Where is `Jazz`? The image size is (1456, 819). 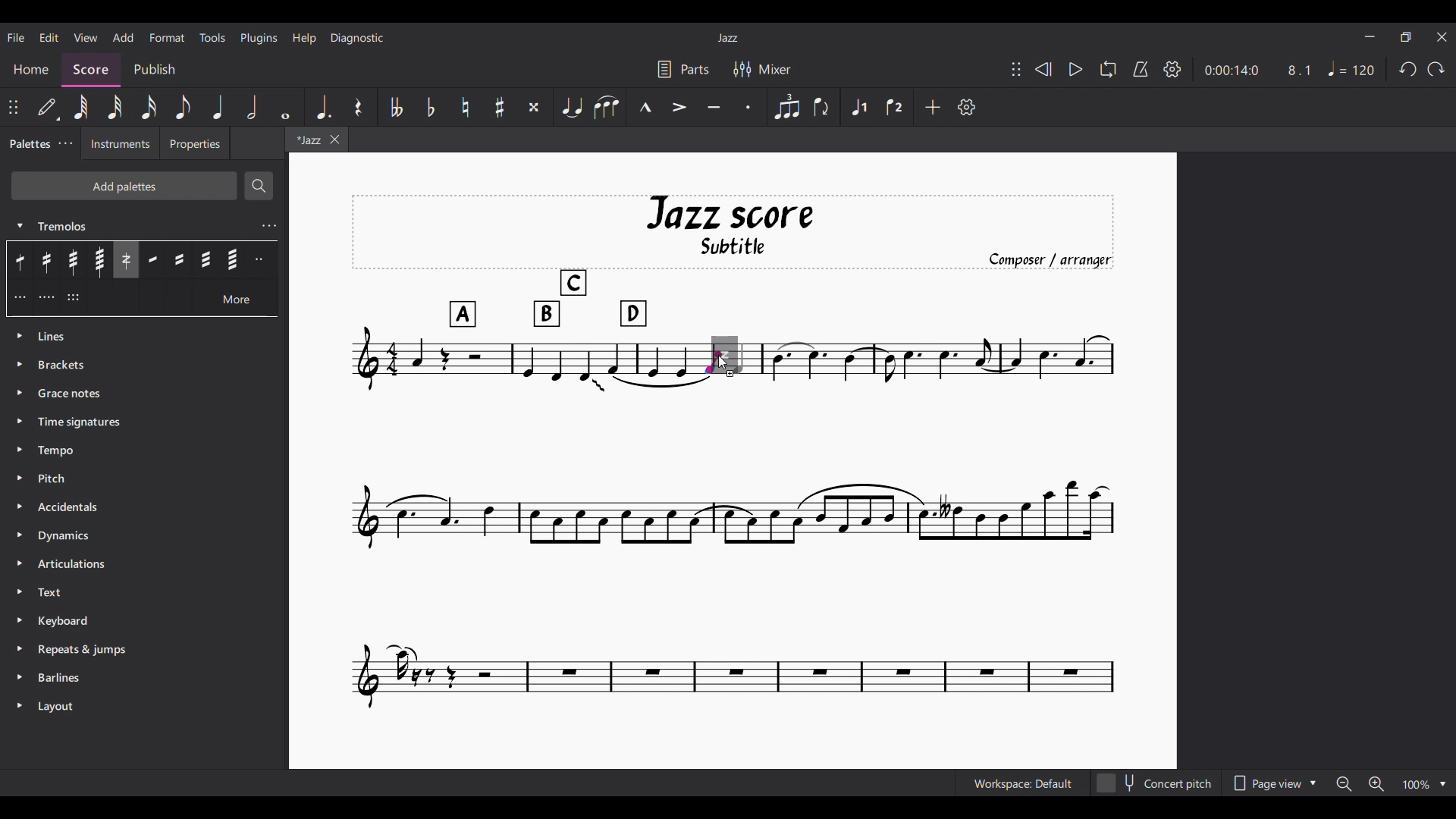 Jazz is located at coordinates (728, 37).